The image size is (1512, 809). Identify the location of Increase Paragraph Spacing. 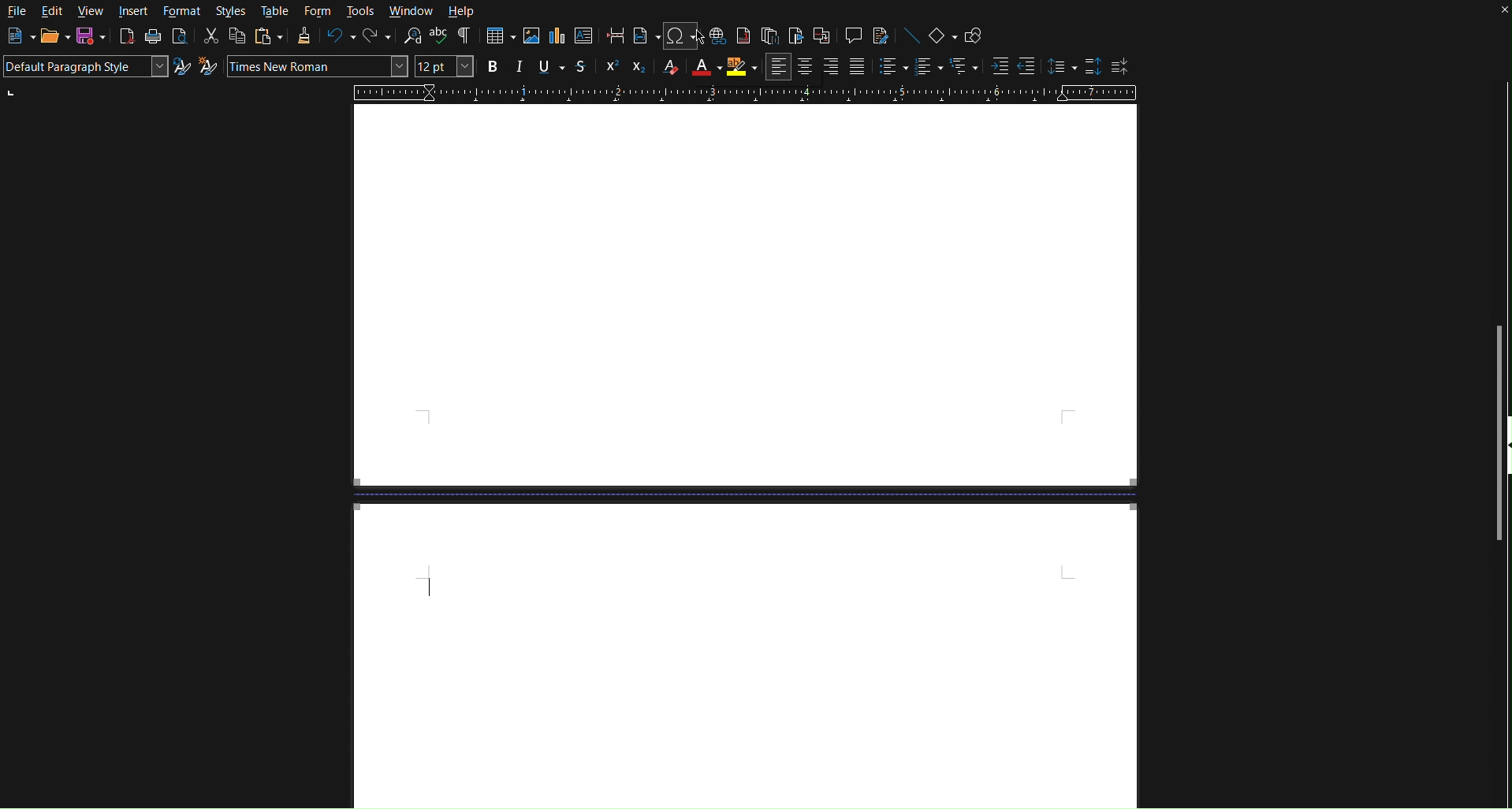
(1090, 65).